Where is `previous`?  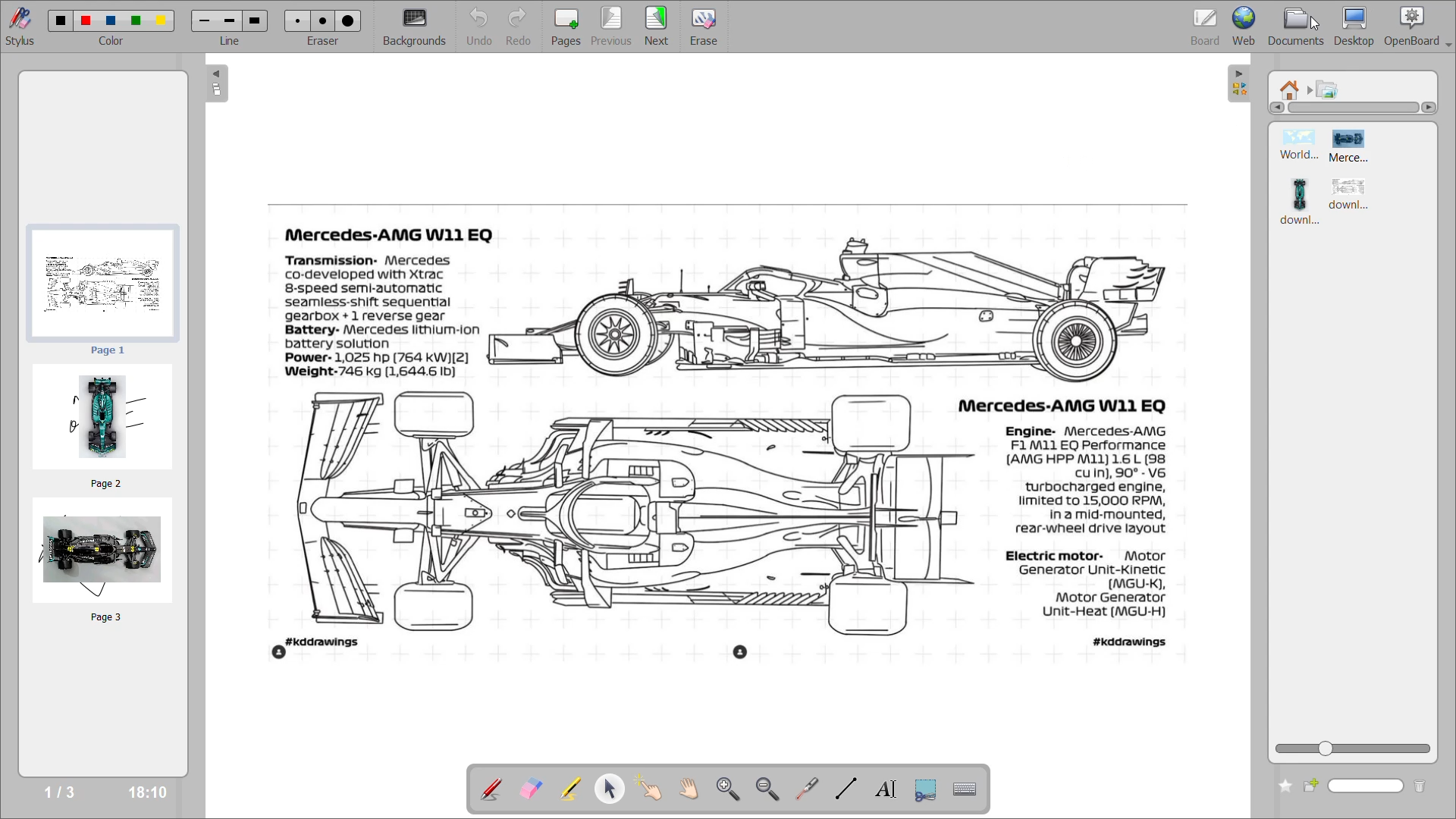
previous is located at coordinates (613, 26).